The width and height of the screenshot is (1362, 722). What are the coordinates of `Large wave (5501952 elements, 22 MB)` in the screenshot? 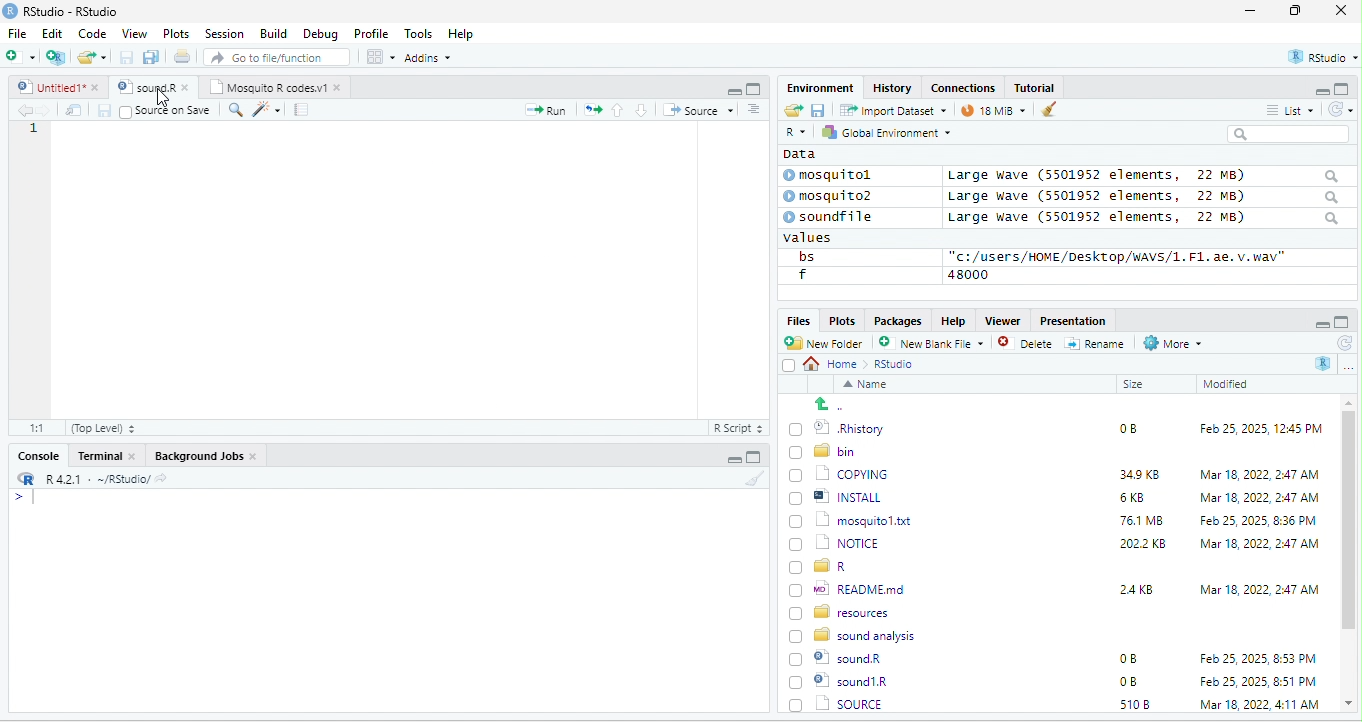 It's located at (1142, 175).